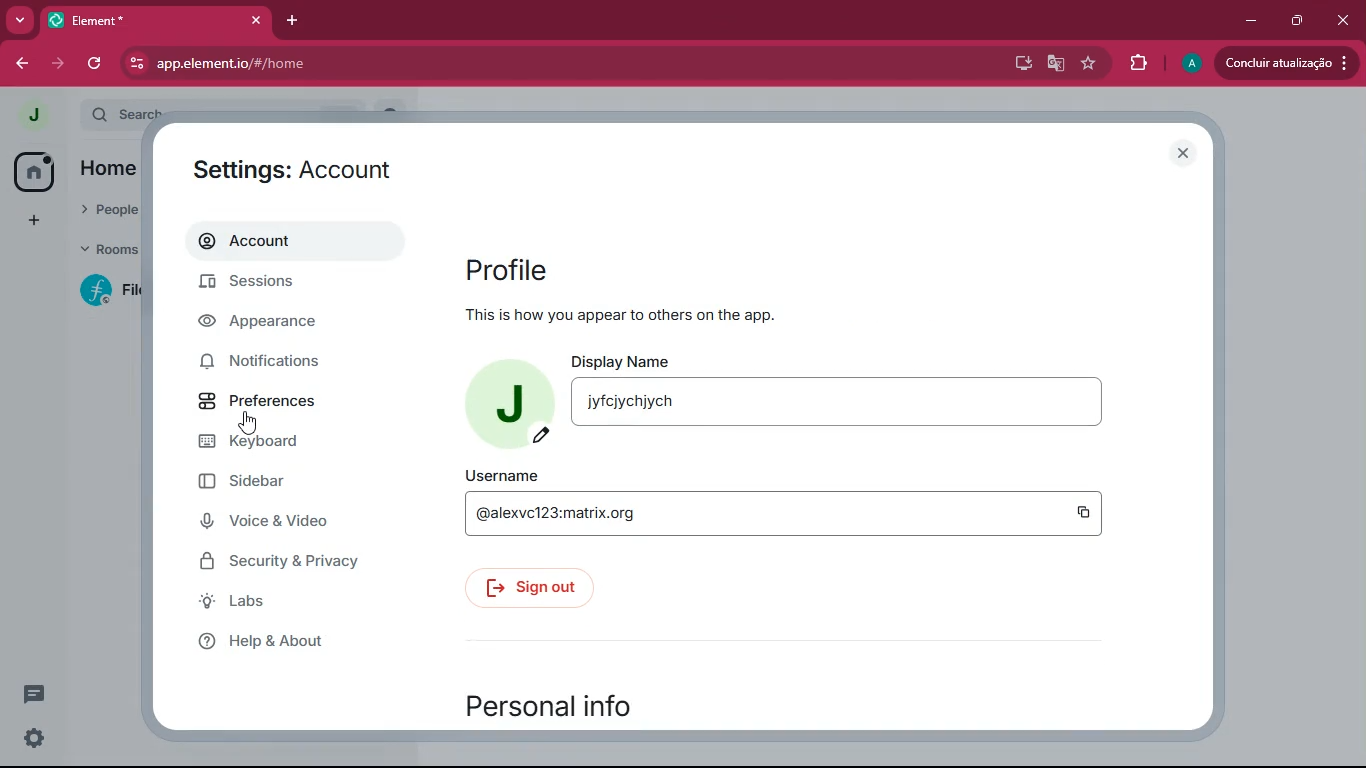 Image resolution: width=1366 pixels, height=768 pixels. I want to click on display name jyfcjychjych, so click(848, 392).